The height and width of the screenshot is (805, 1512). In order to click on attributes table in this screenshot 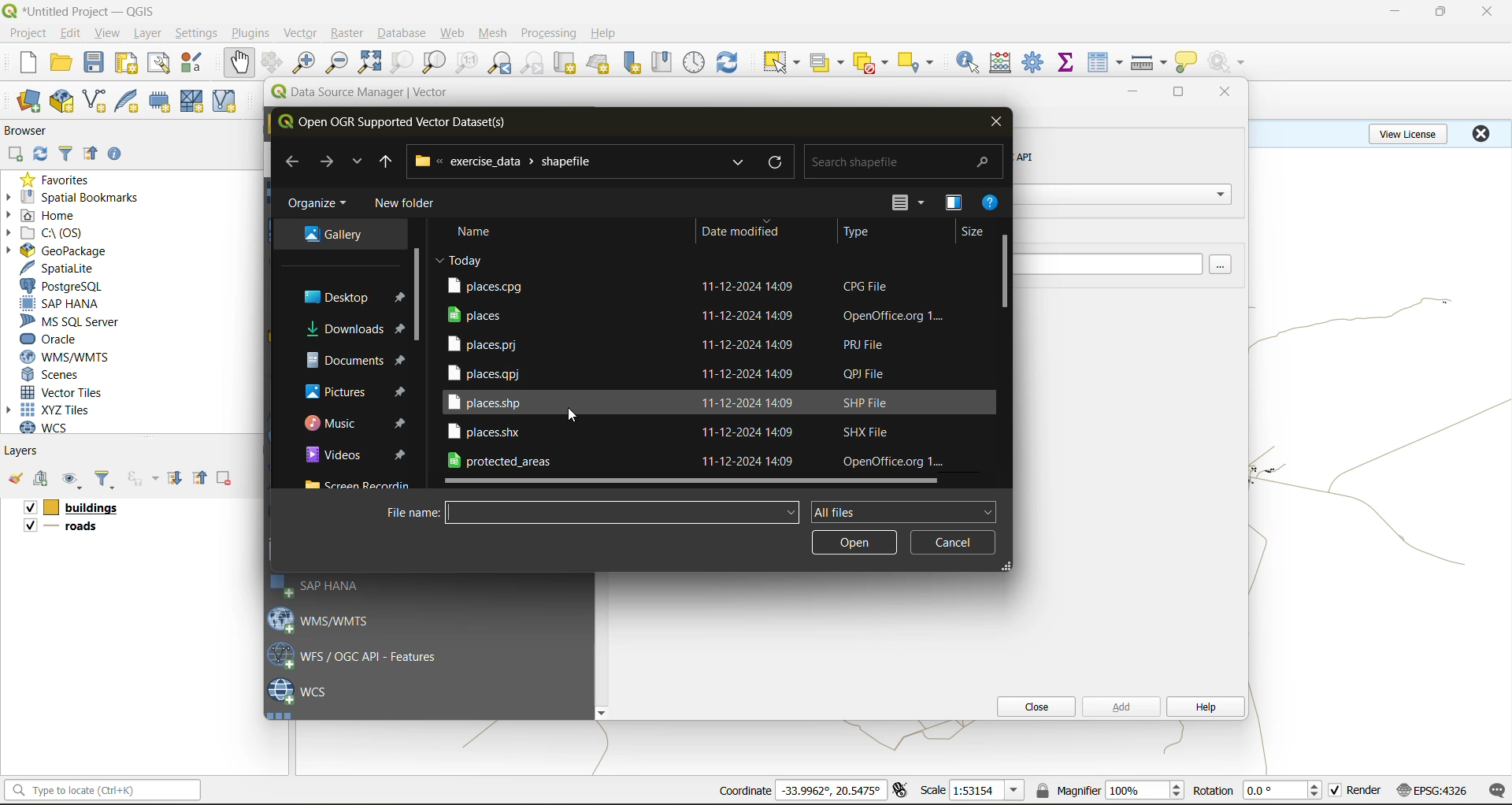, I will do `click(1106, 64)`.